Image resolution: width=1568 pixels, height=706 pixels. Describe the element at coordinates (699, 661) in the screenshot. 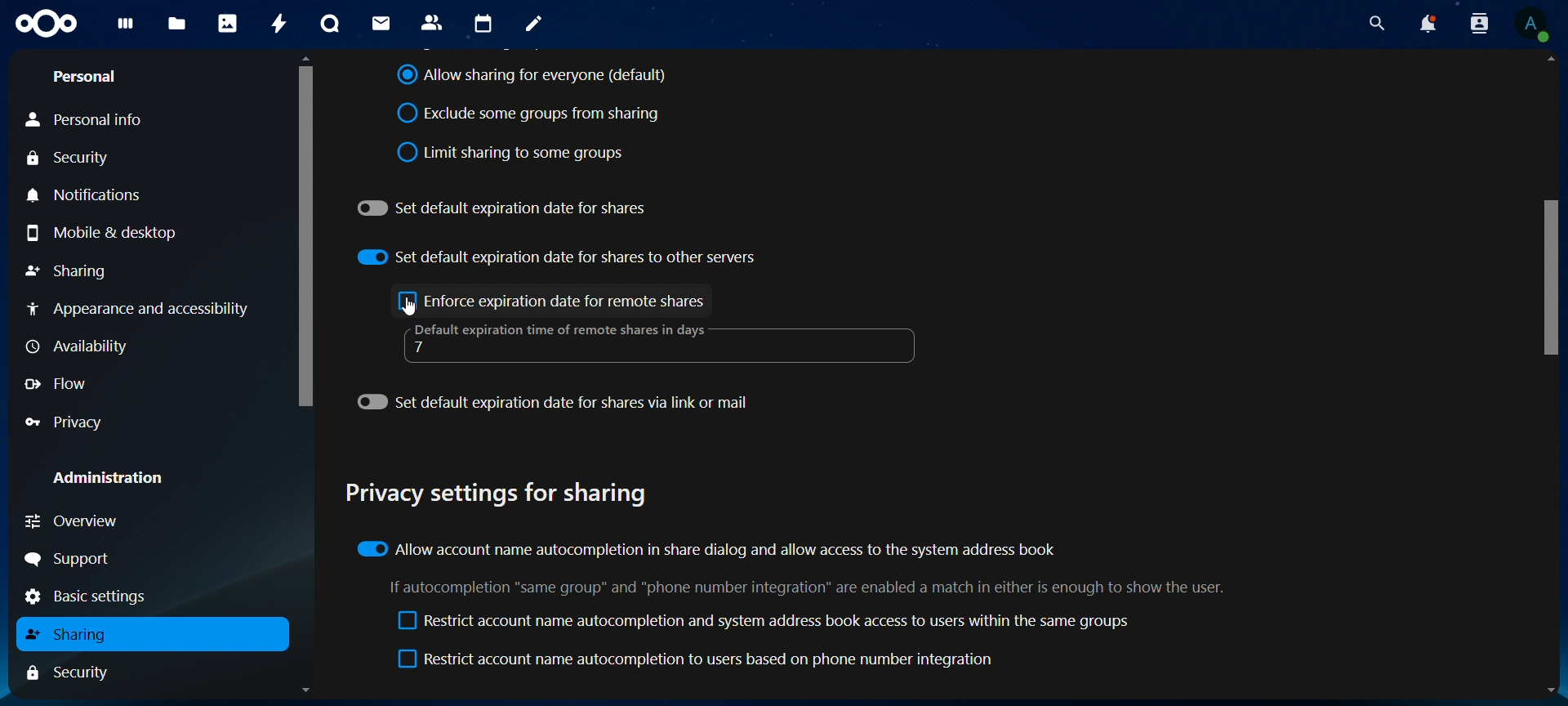

I see `Restrict account name autocompletion` at that location.